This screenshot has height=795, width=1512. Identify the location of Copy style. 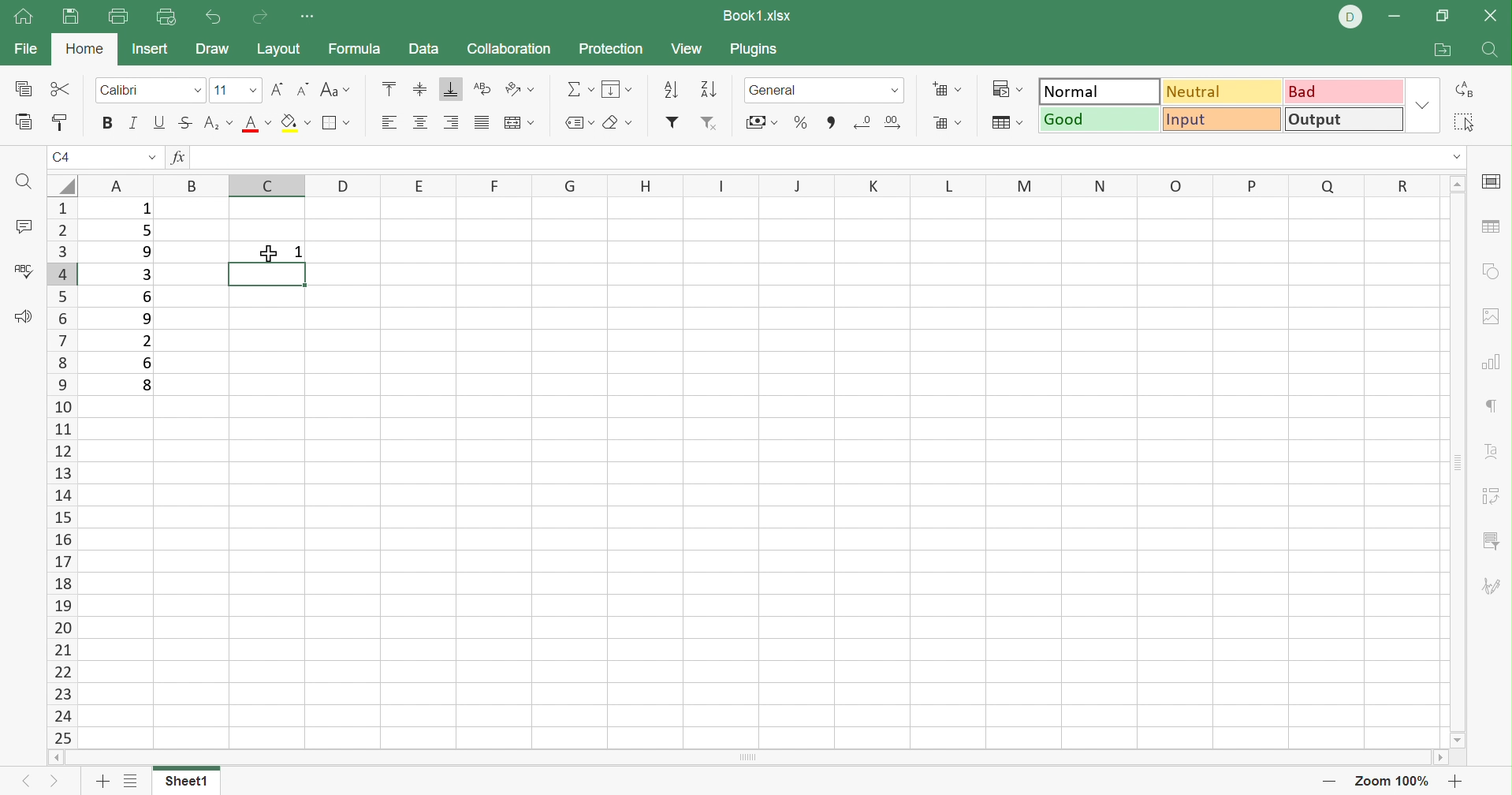
(61, 125).